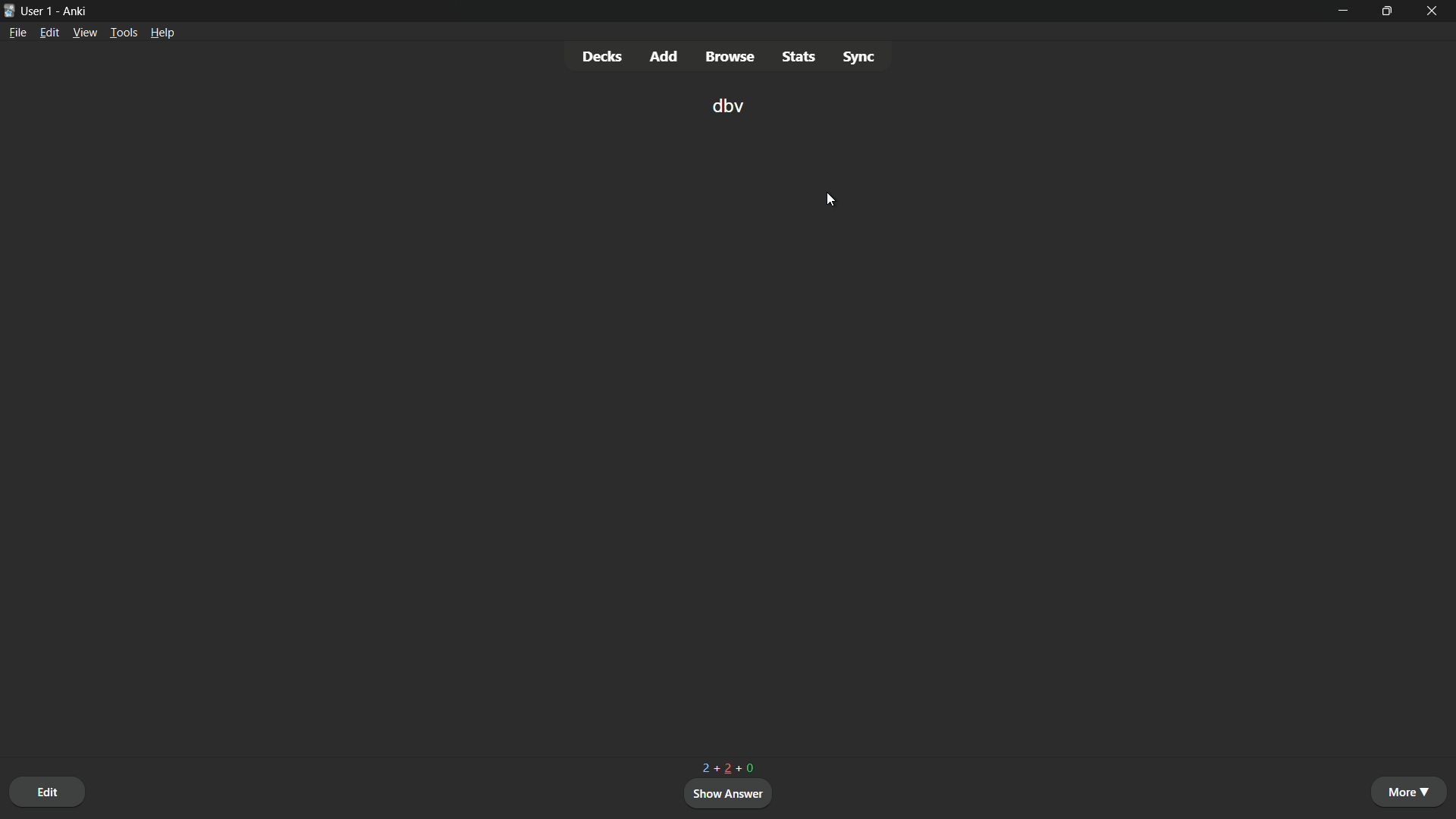 This screenshot has height=819, width=1456. I want to click on dbv, so click(726, 108).